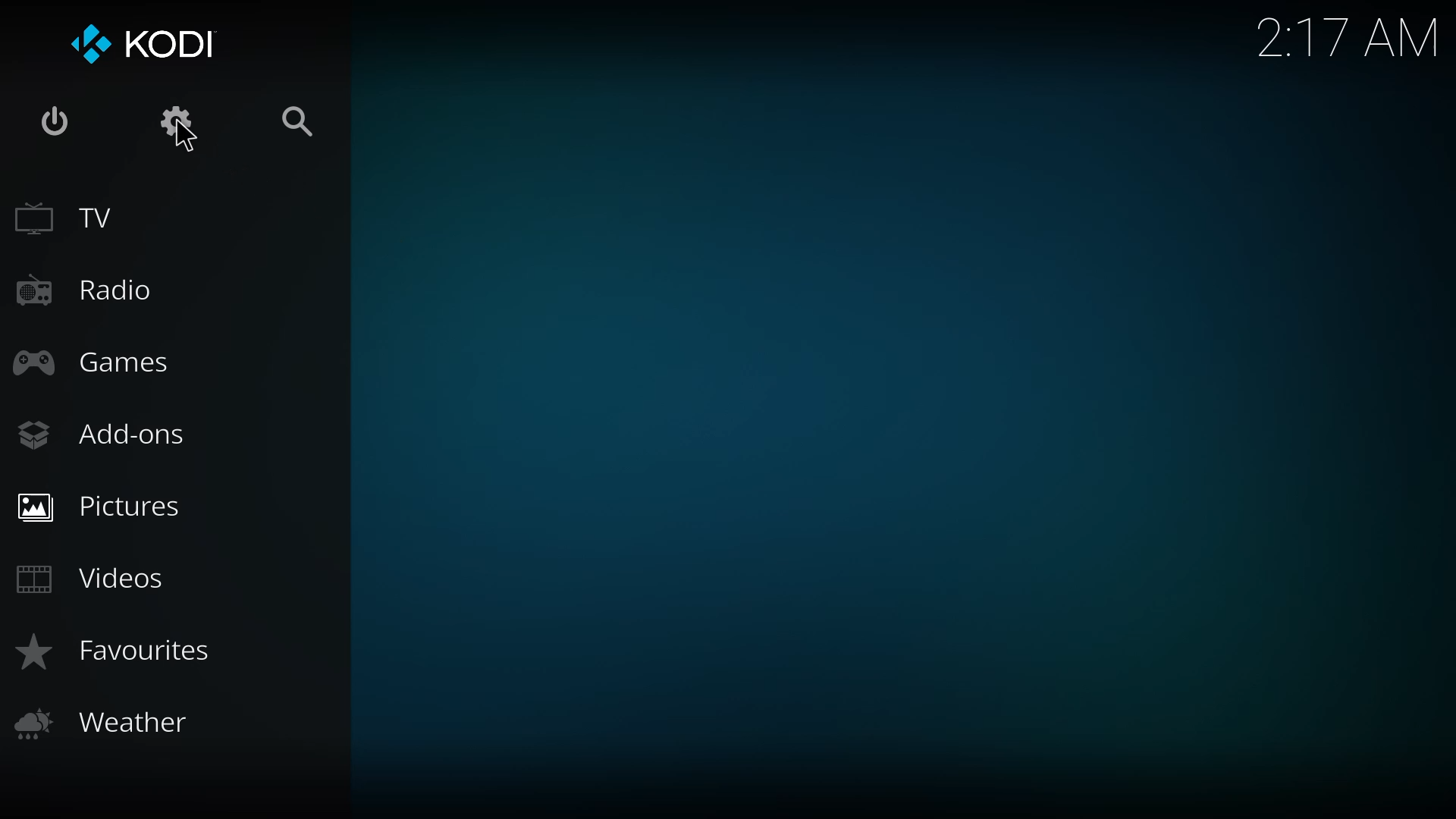 The width and height of the screenshot is (1456, 819). What do you see at coordinates (110, 507) in the screenshot?
I see `pictures` at bounding box center [110, 507].